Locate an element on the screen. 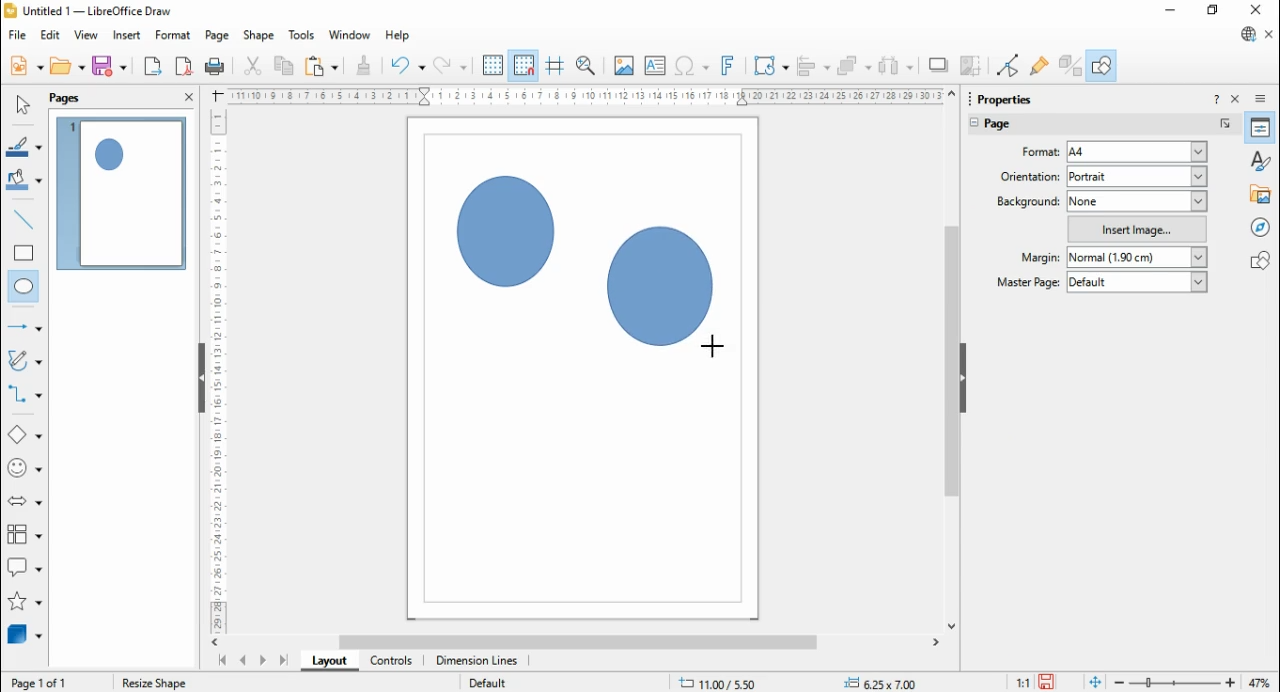 The image size is (1280, 692). normal is located at coordinates (1137, 258).